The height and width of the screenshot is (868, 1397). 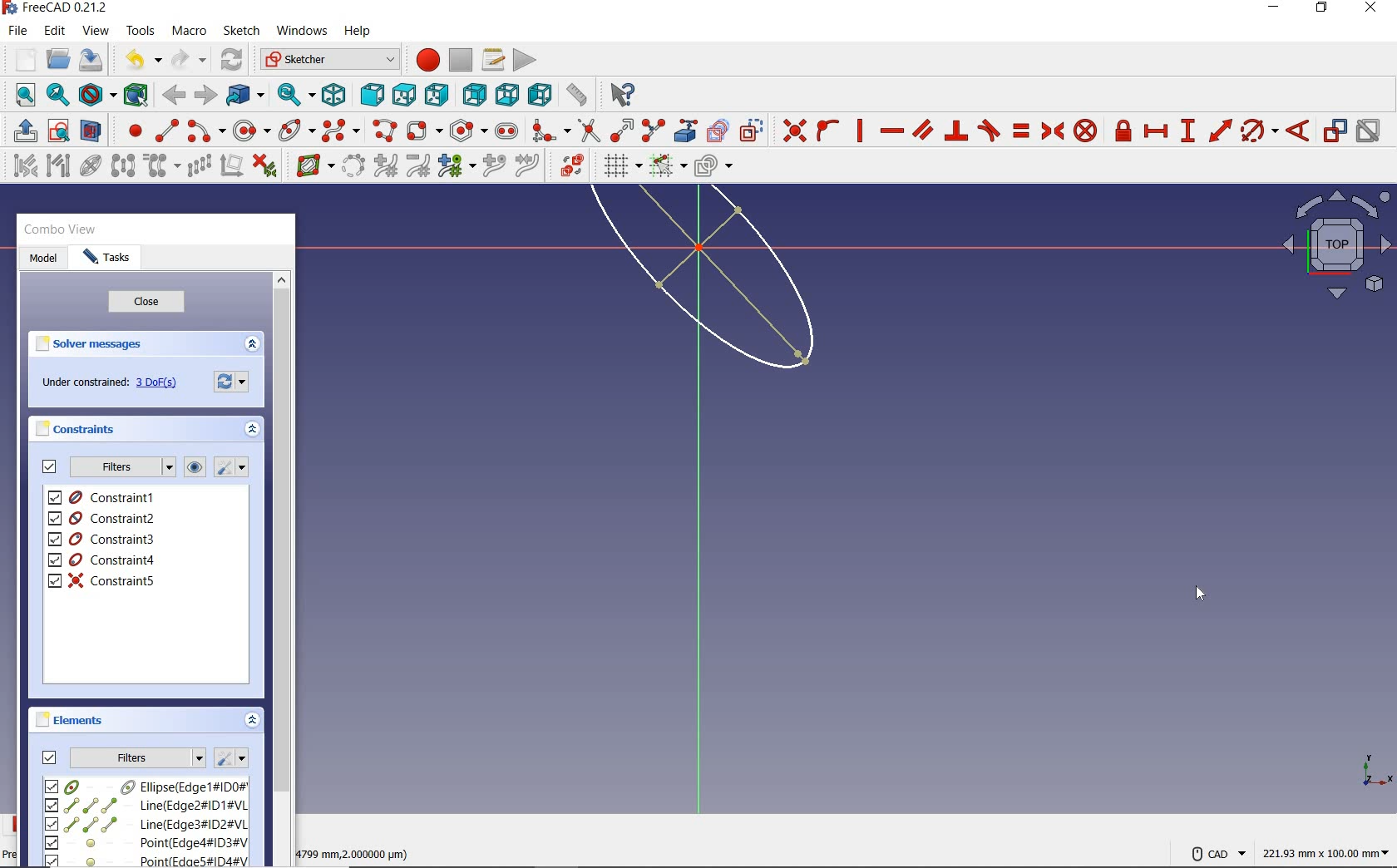 What do you see at coordinates (333, 94) in the screenshot?
I see `isometric` at bounding box center [333, 94].